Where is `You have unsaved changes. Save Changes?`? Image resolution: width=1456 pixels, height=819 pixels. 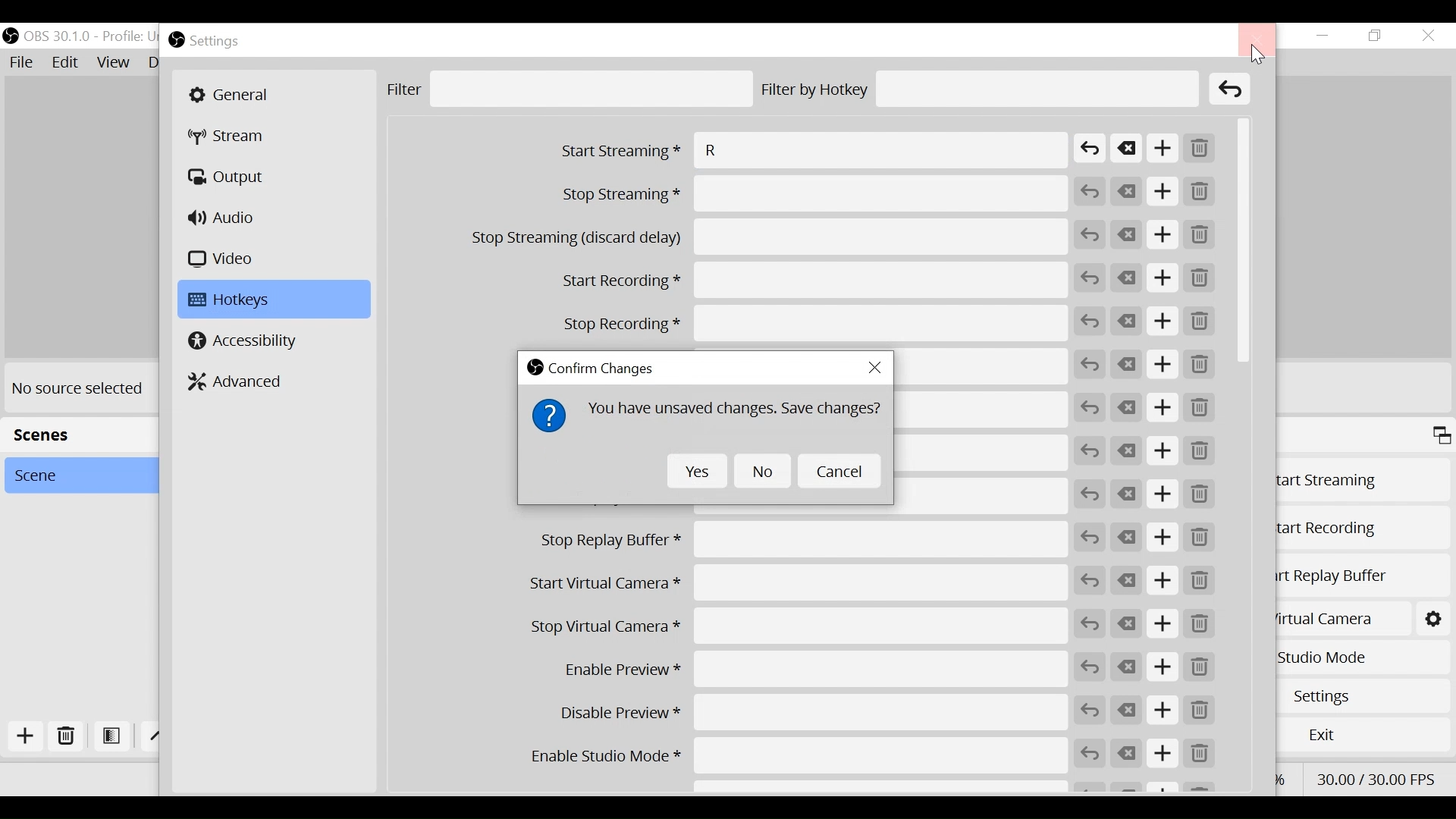 You have unsaved changes. Save Changes? is located at coordinates (706, 417).